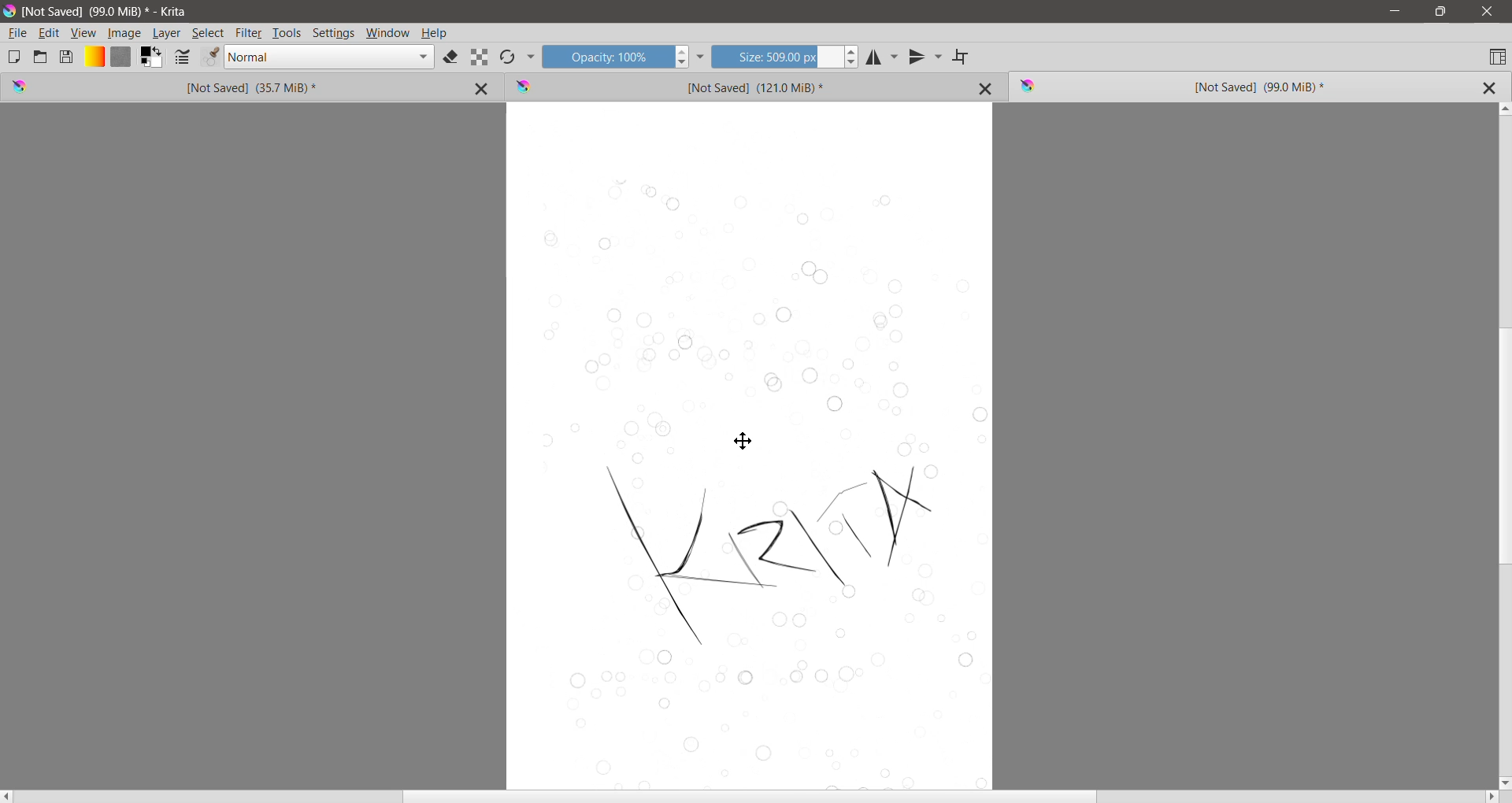 This screenshot has height=803, width=1512. What do you see at coordinates (925, 57) in the screenshot?
I see `Vertical Mirror Tool` at bounding box center [925, 57].